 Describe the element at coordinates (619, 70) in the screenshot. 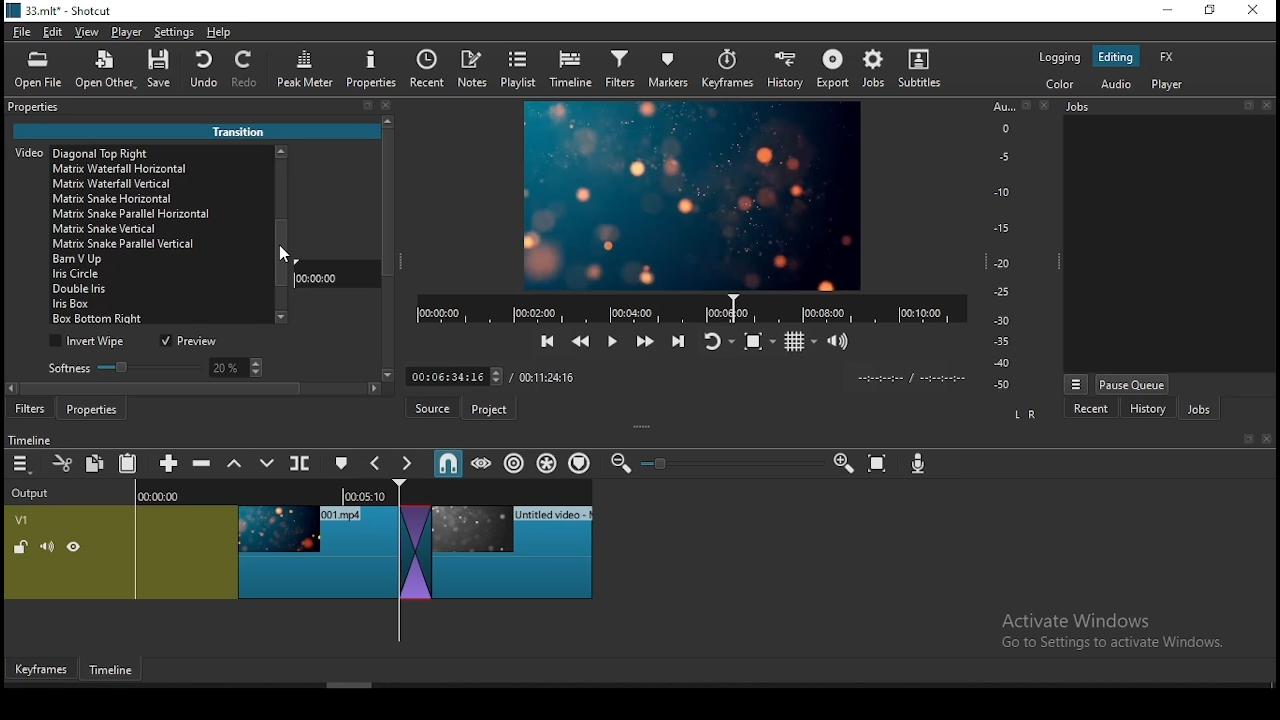

I see `filters` at that location.